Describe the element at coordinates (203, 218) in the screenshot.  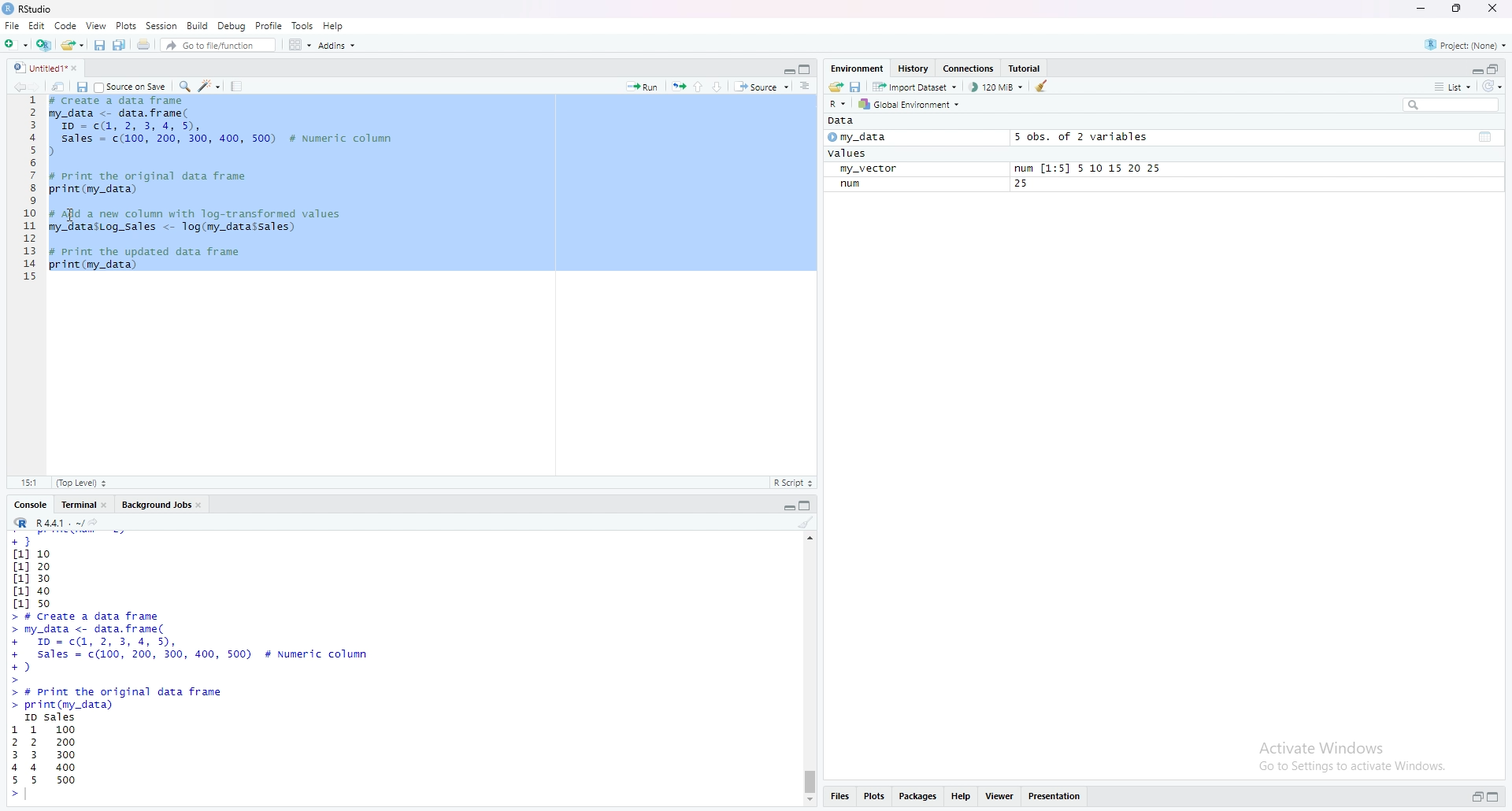
I see `code to add new column` at that location.